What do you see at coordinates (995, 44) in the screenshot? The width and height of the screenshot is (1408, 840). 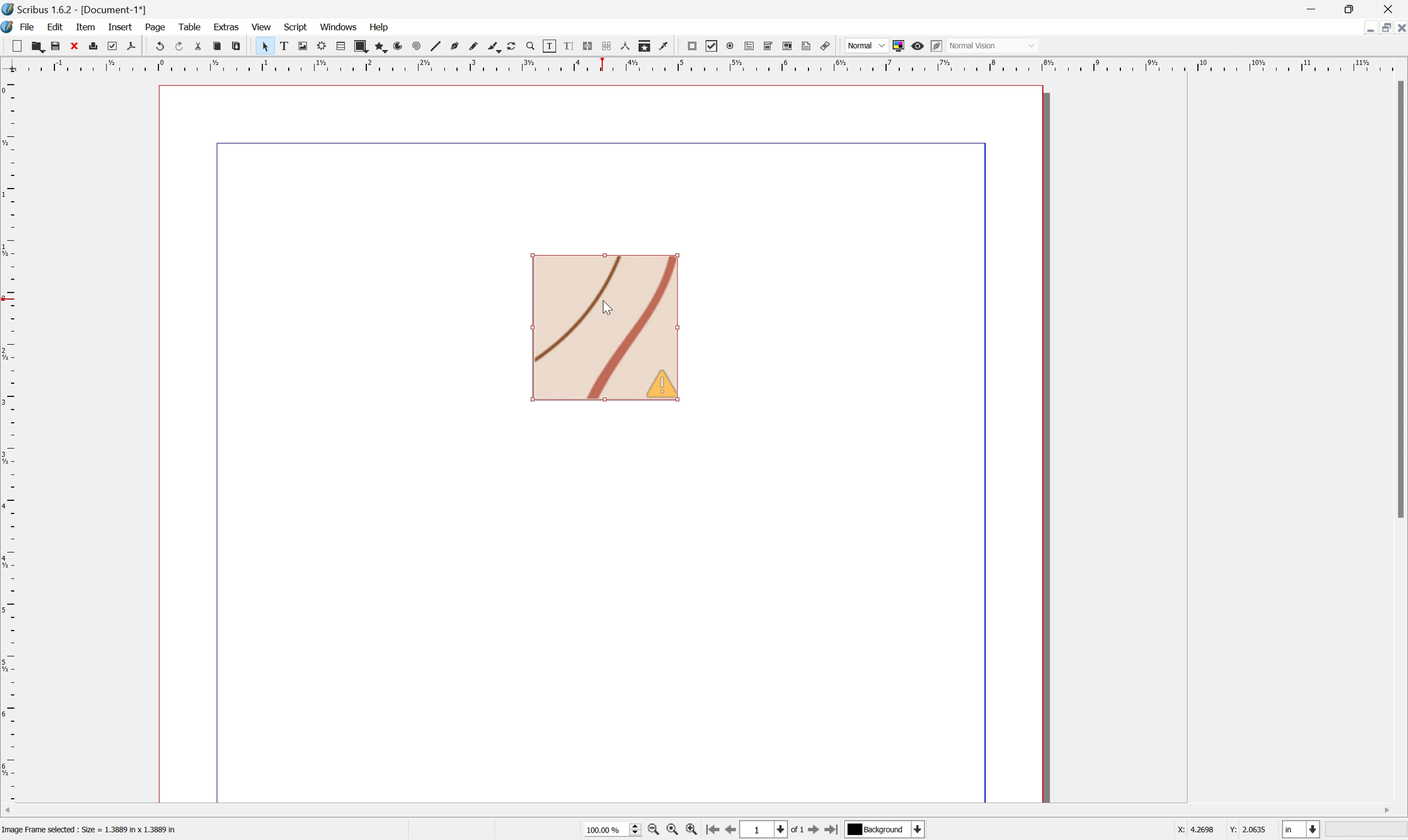 I see `Normal Vision` at bounding box center [995, 44].